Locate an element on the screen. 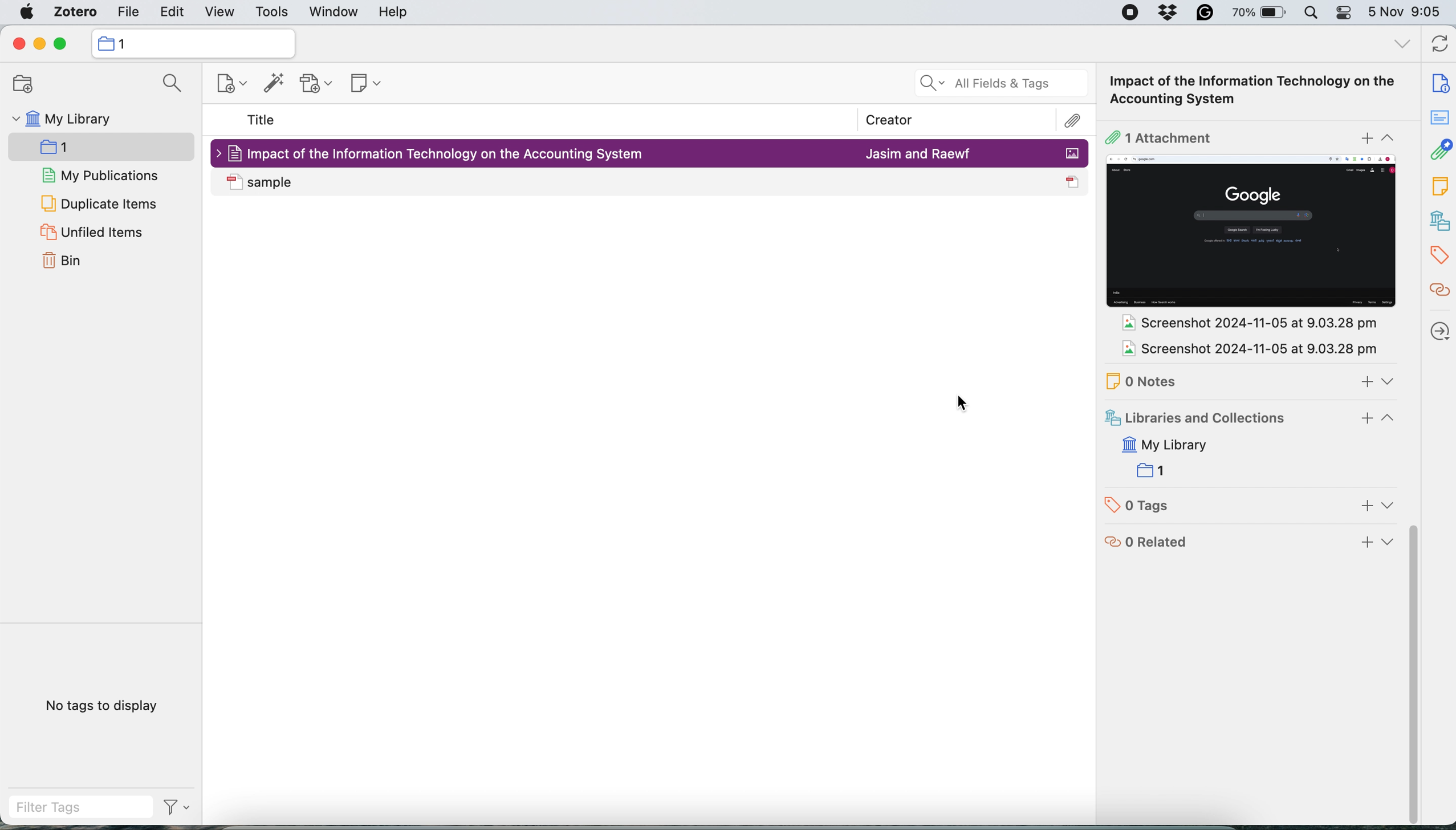 This screenshot has height=830, width=1456. no tags to display is located at coordinates (104, 705).